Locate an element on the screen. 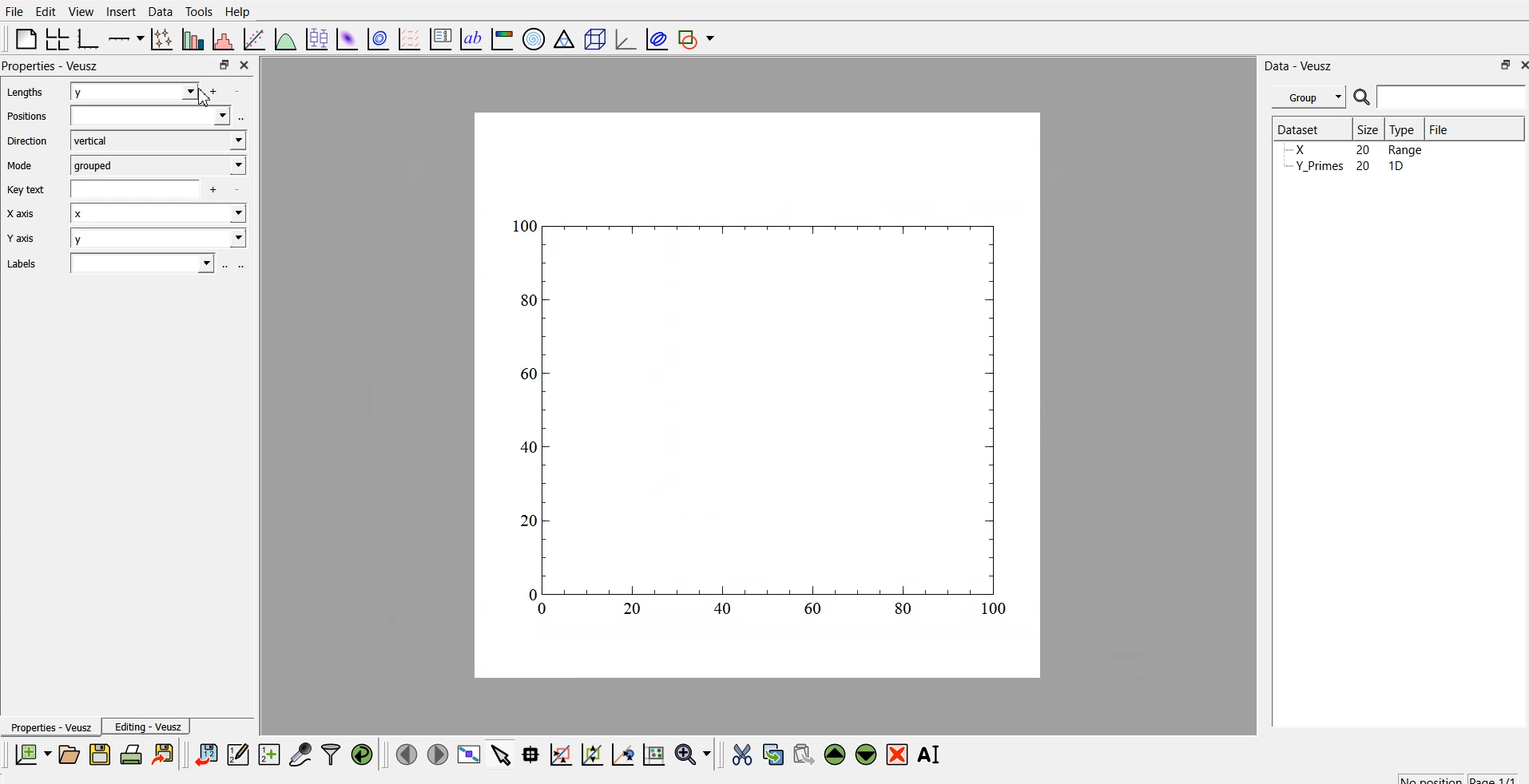 The width and height of the screenshot is (1529, 784). Y axis y is located at coordinates (129, 240).